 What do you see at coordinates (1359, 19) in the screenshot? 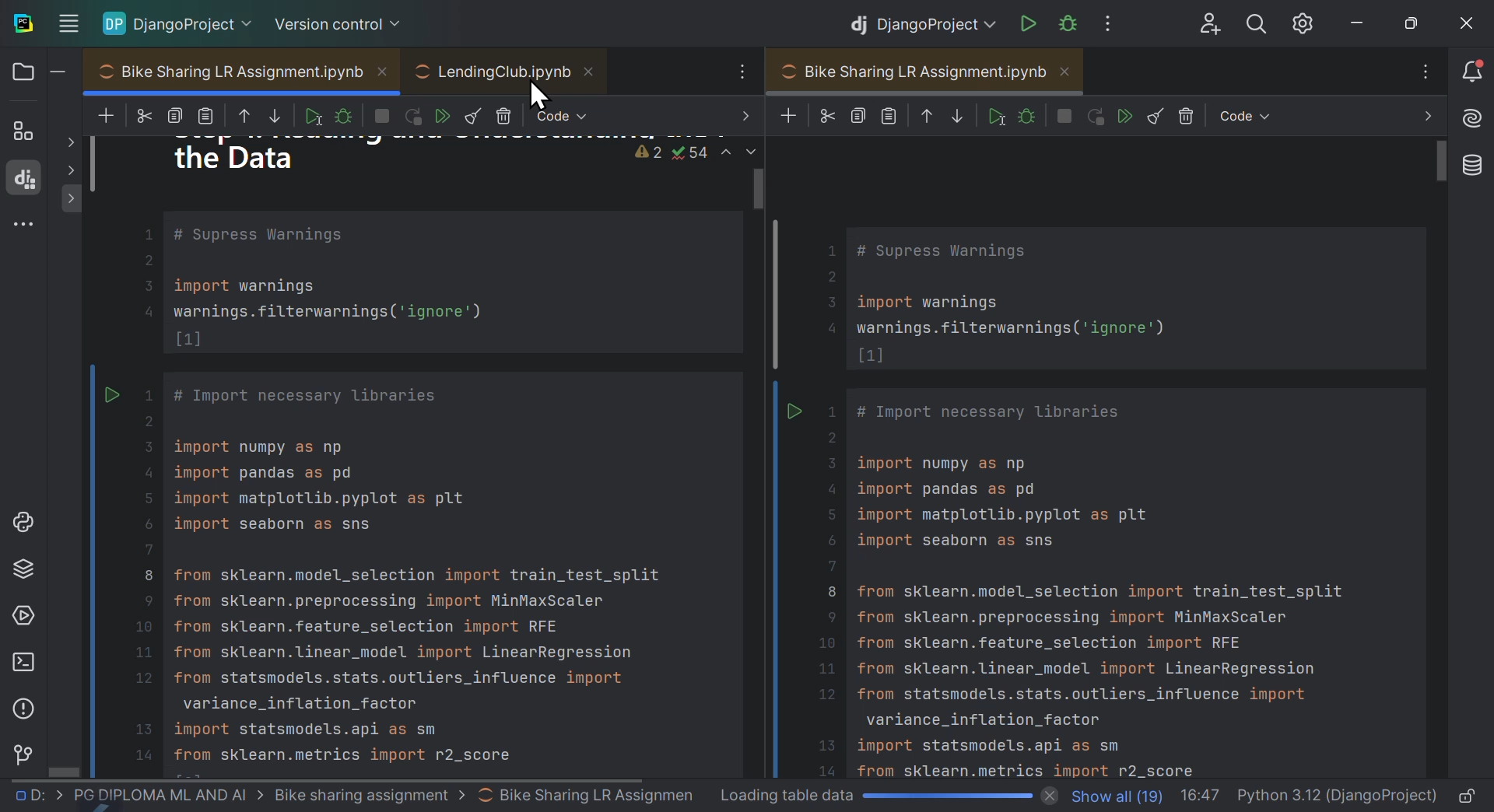
I see `minimise` at bounding box center [1359, 19].